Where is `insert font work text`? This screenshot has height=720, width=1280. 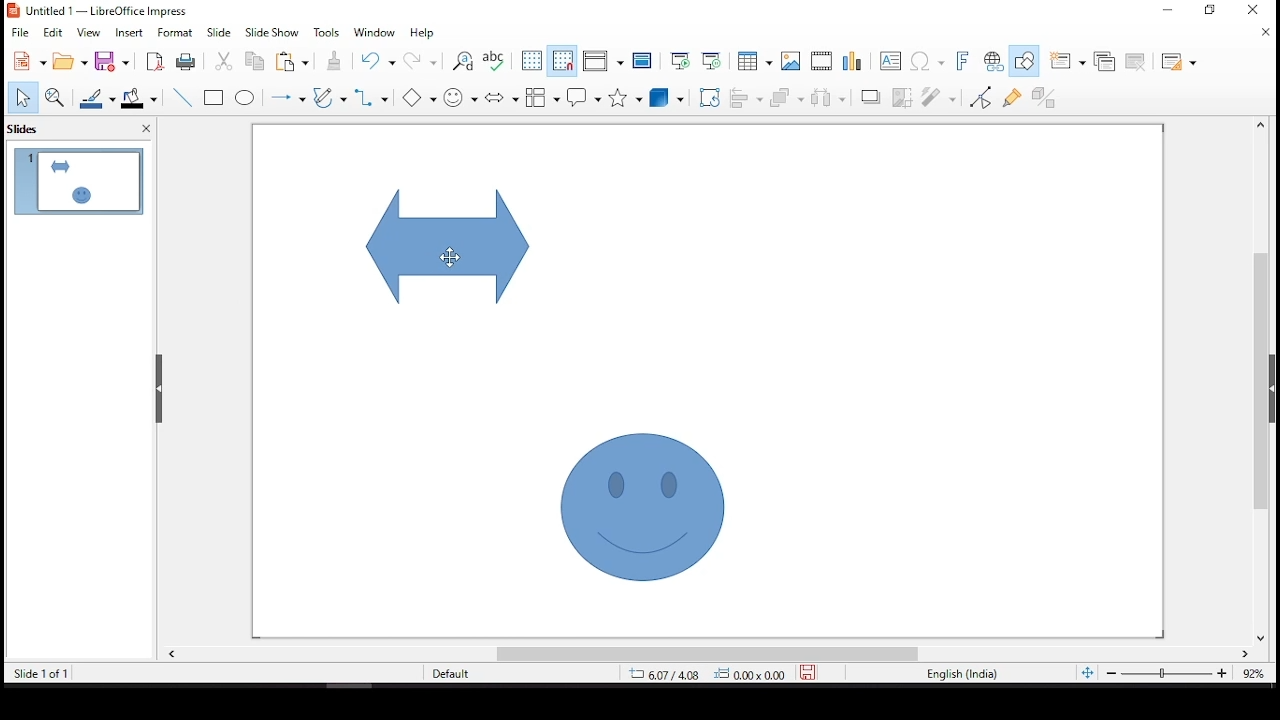 insert font work text is located at coordinates (959, 63).